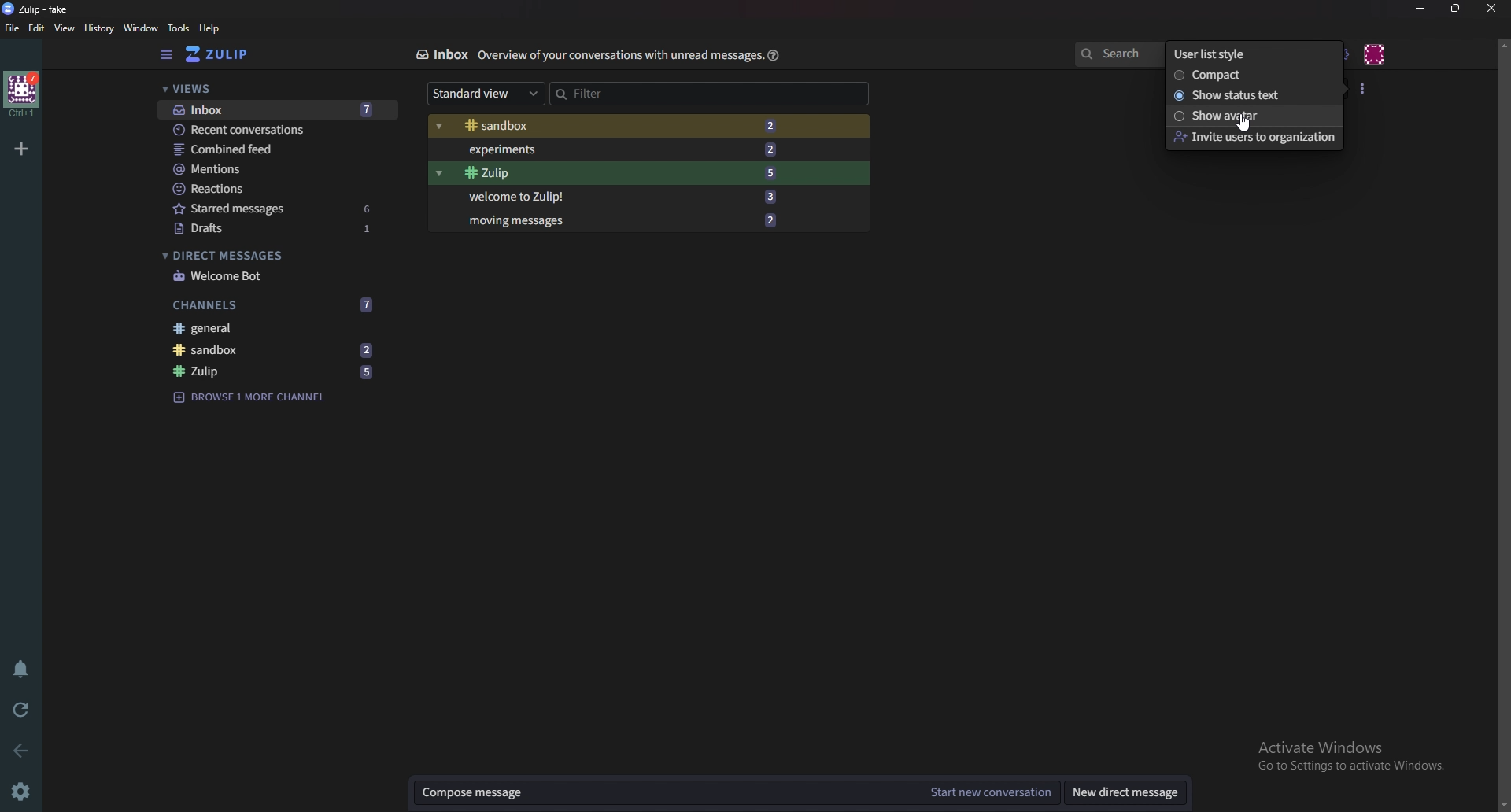  Describe the element at coordinates (663, 793) in the screenshot. I see `compose message` at that location.